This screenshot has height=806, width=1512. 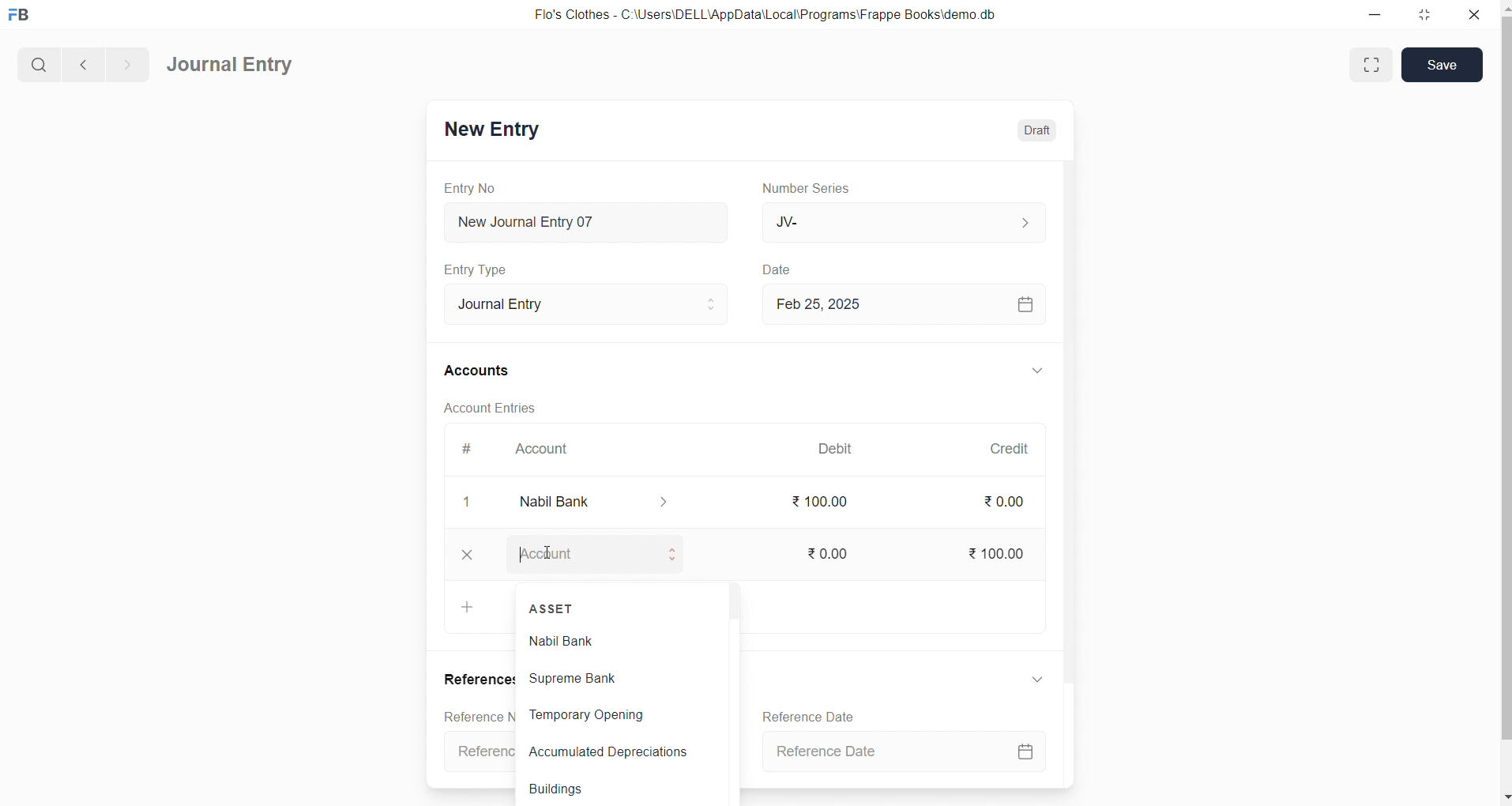 I want to click on Entry Type, so click(x=485, y=269).